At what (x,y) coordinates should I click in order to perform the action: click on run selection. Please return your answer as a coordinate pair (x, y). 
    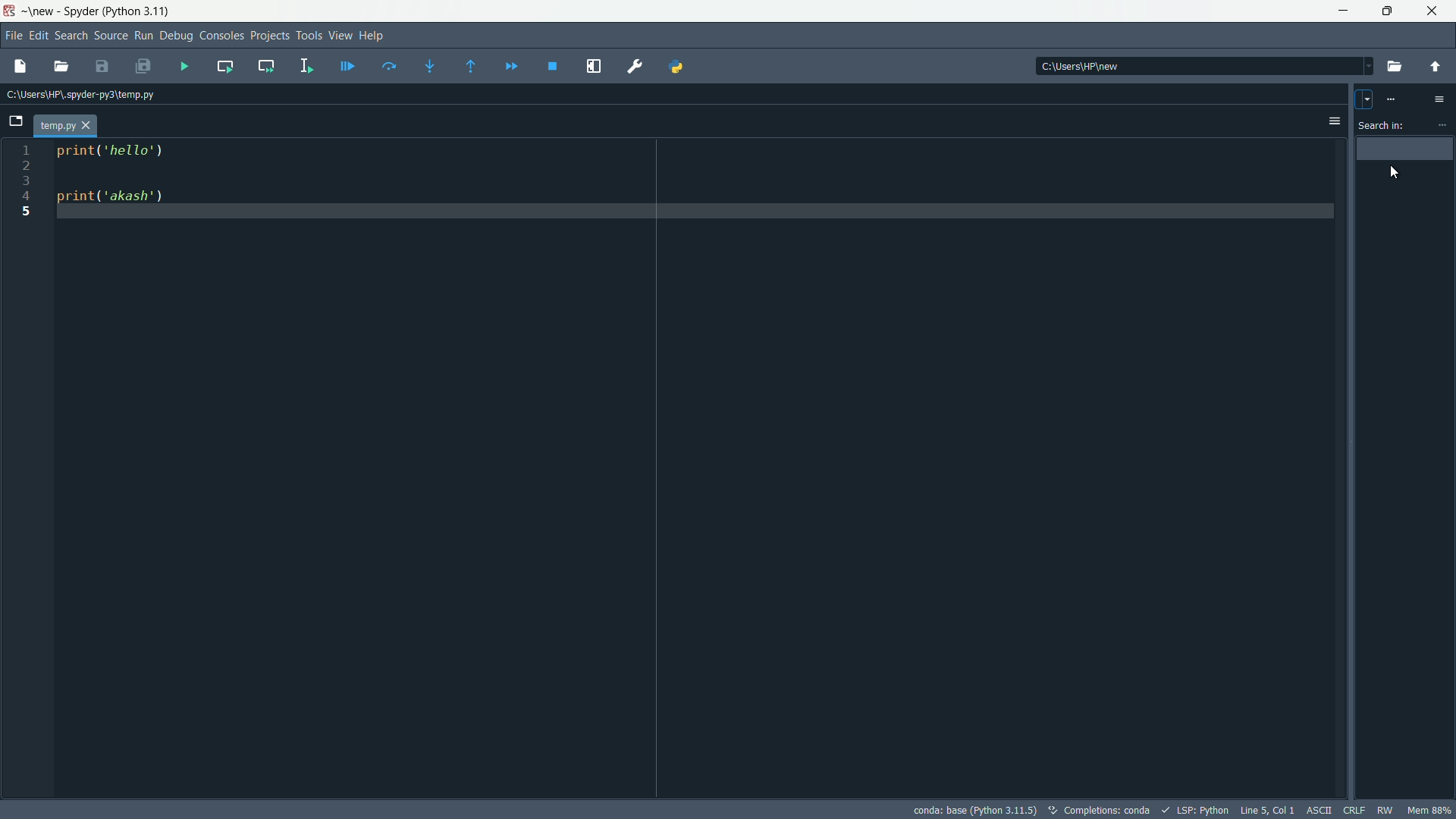
    Looking at the image, I should click on (304, 67).